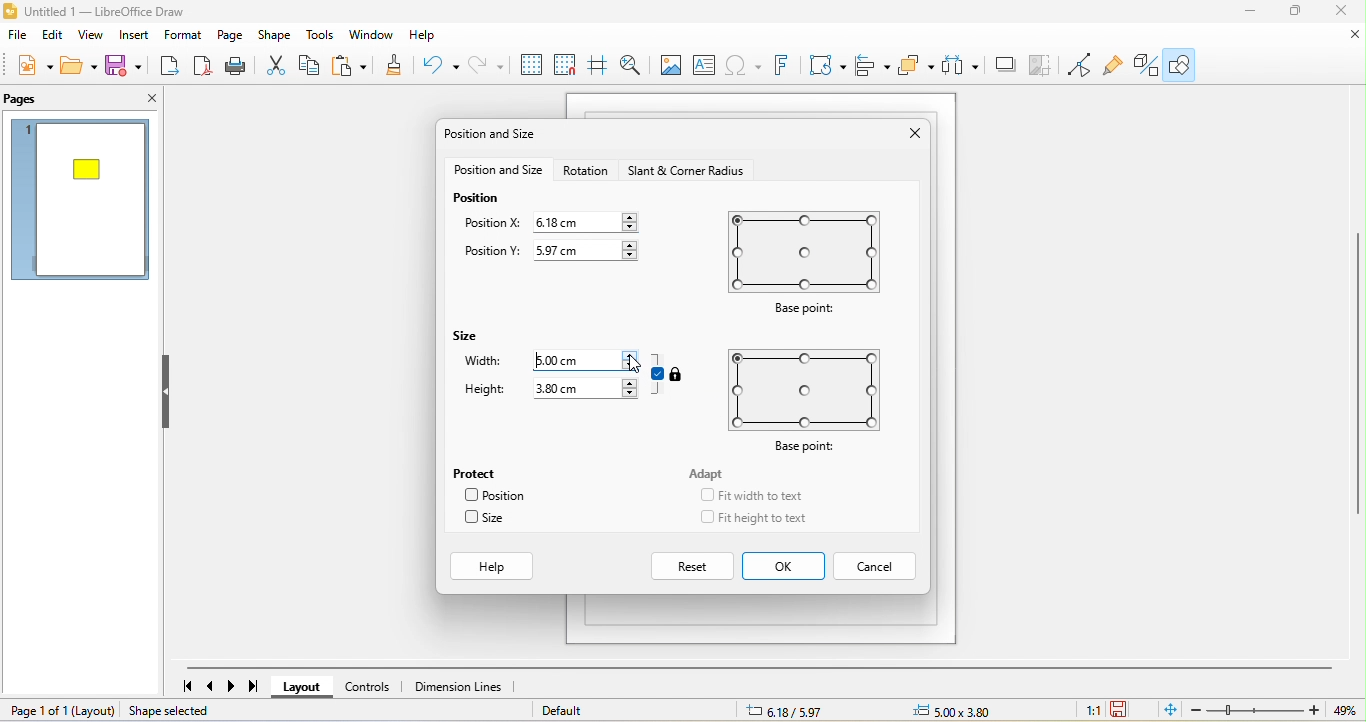  What do you see at coordinates (584, 390) in the screenshot?
I see `3.80 cm` at bounding box center [584, 390].